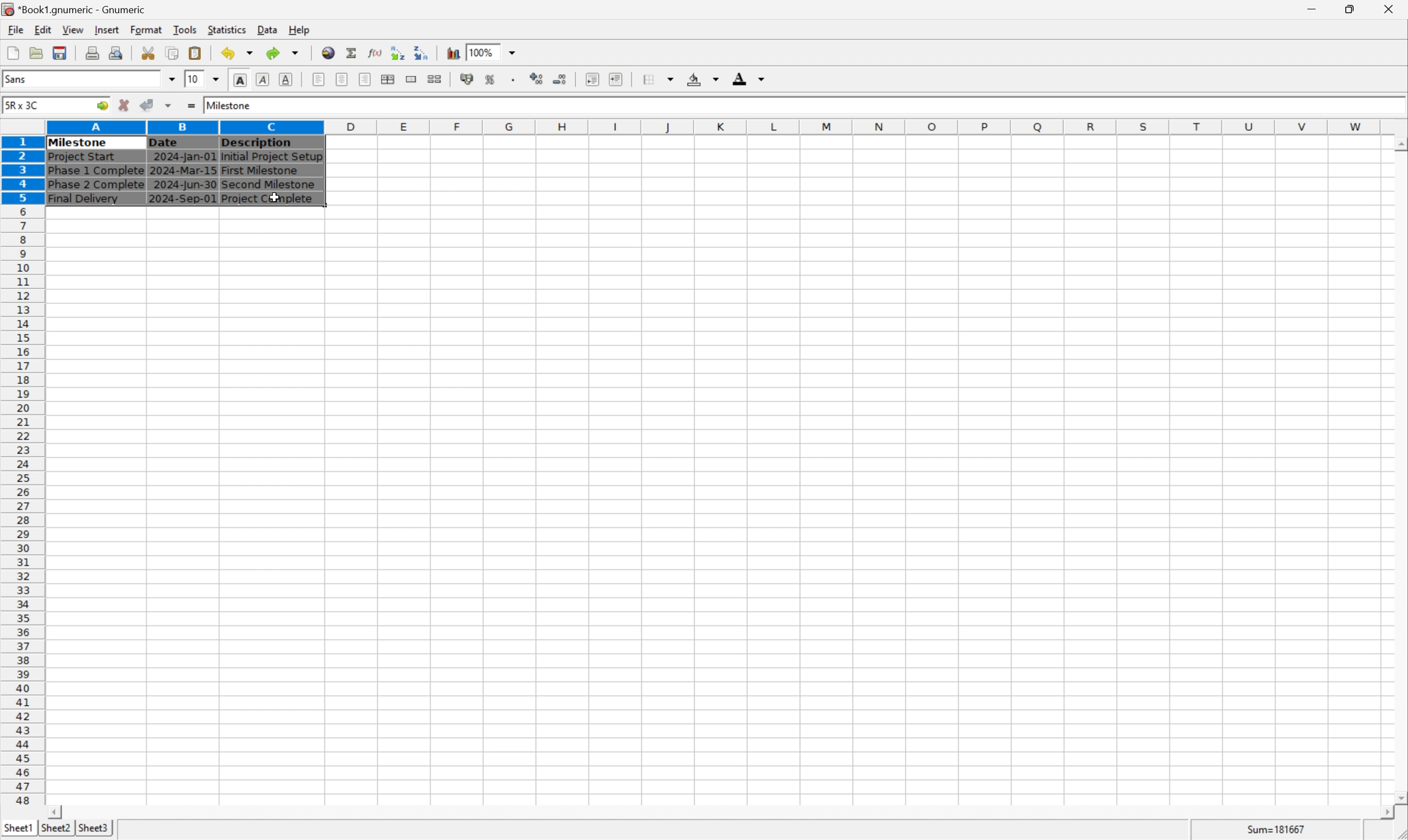 This screenshot has width=1408, height=840. I want to click on font color, so click(749, 78).